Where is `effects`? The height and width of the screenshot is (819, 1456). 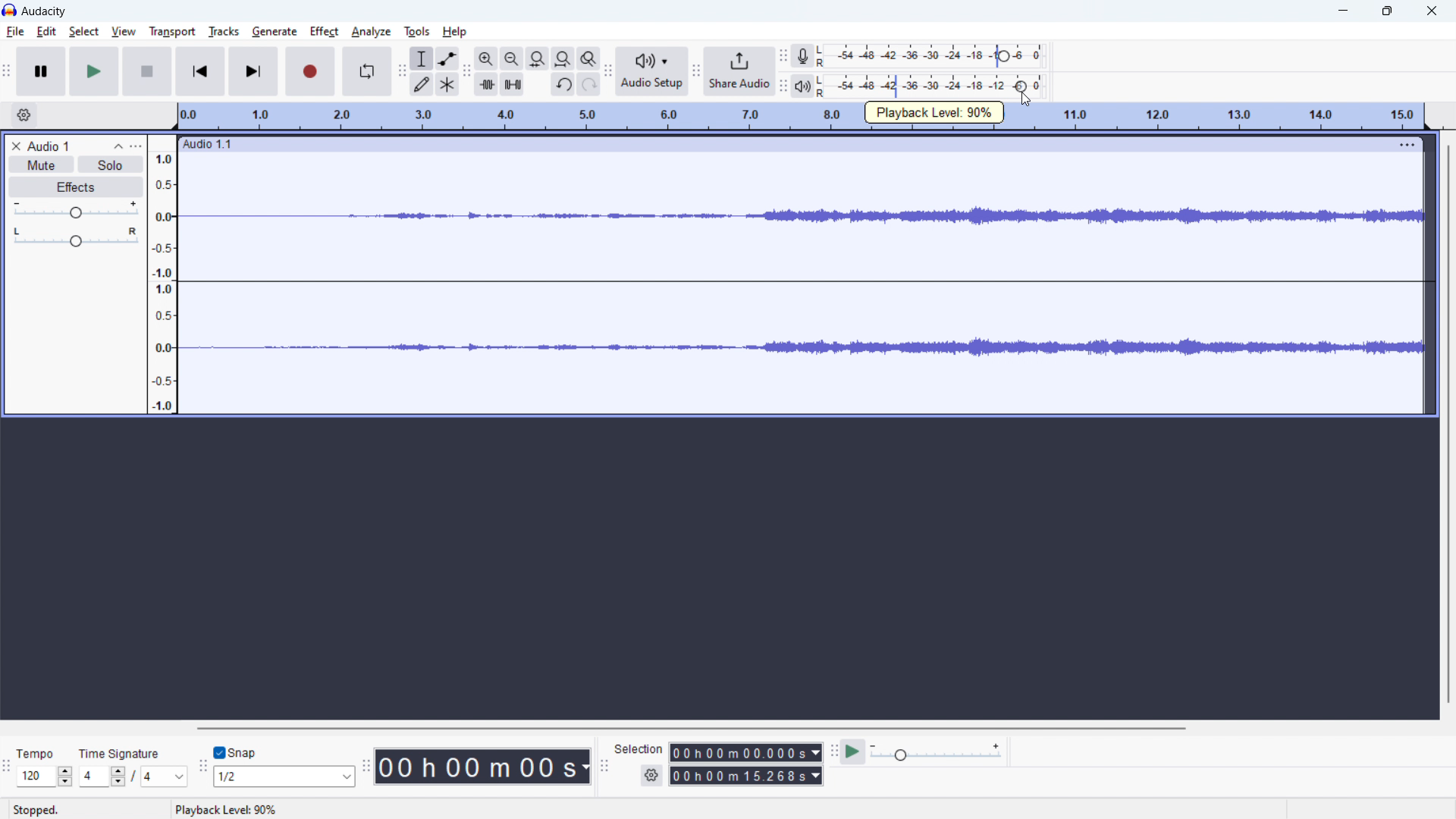
effects is located at coordinates (75, 186).